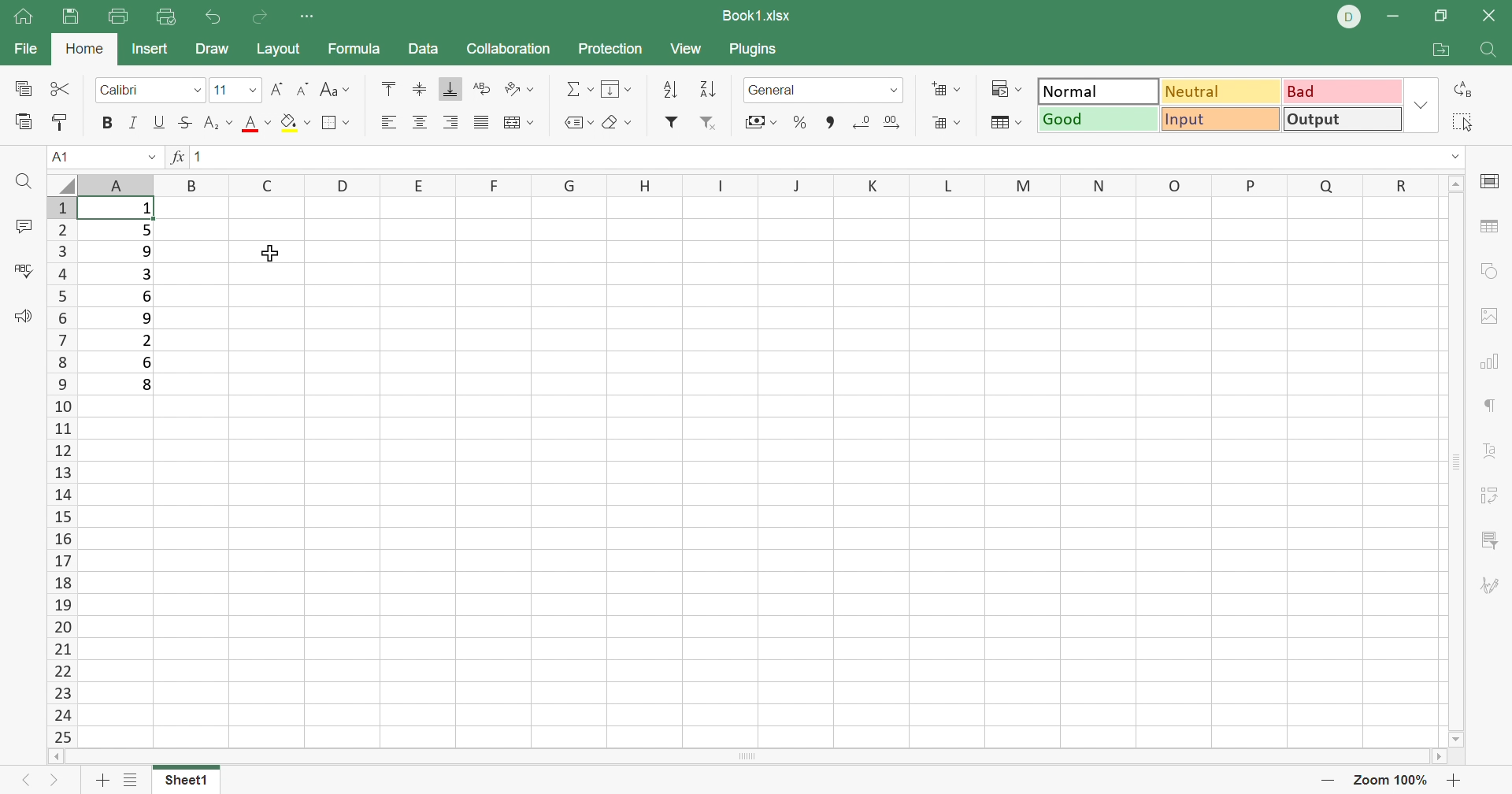 Image resolution: width=1512 pixels, height=794 pixels. I want to click on Borders, so click(335, 121).